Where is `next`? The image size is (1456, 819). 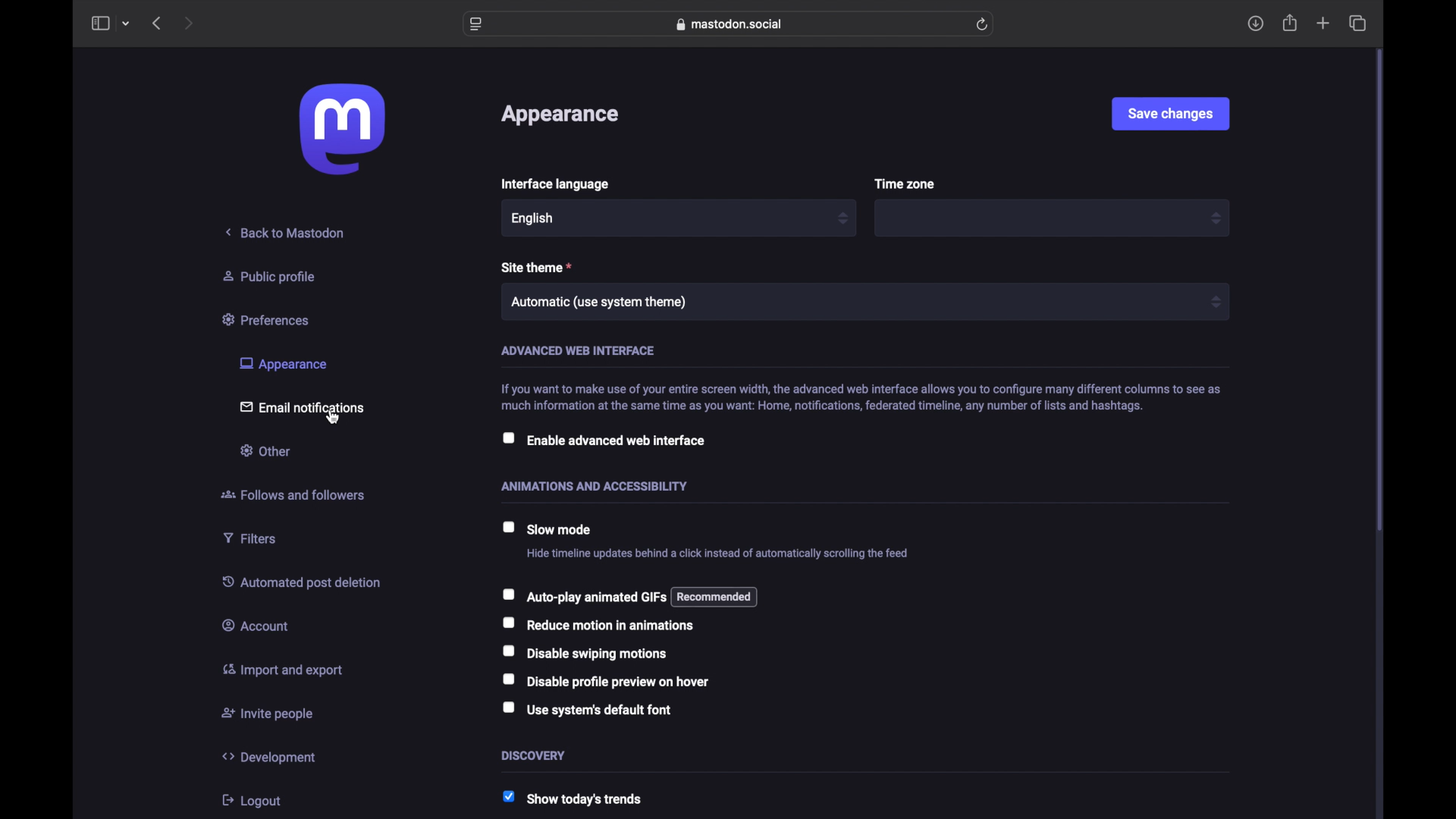
next is located at coordinates (190, 23).